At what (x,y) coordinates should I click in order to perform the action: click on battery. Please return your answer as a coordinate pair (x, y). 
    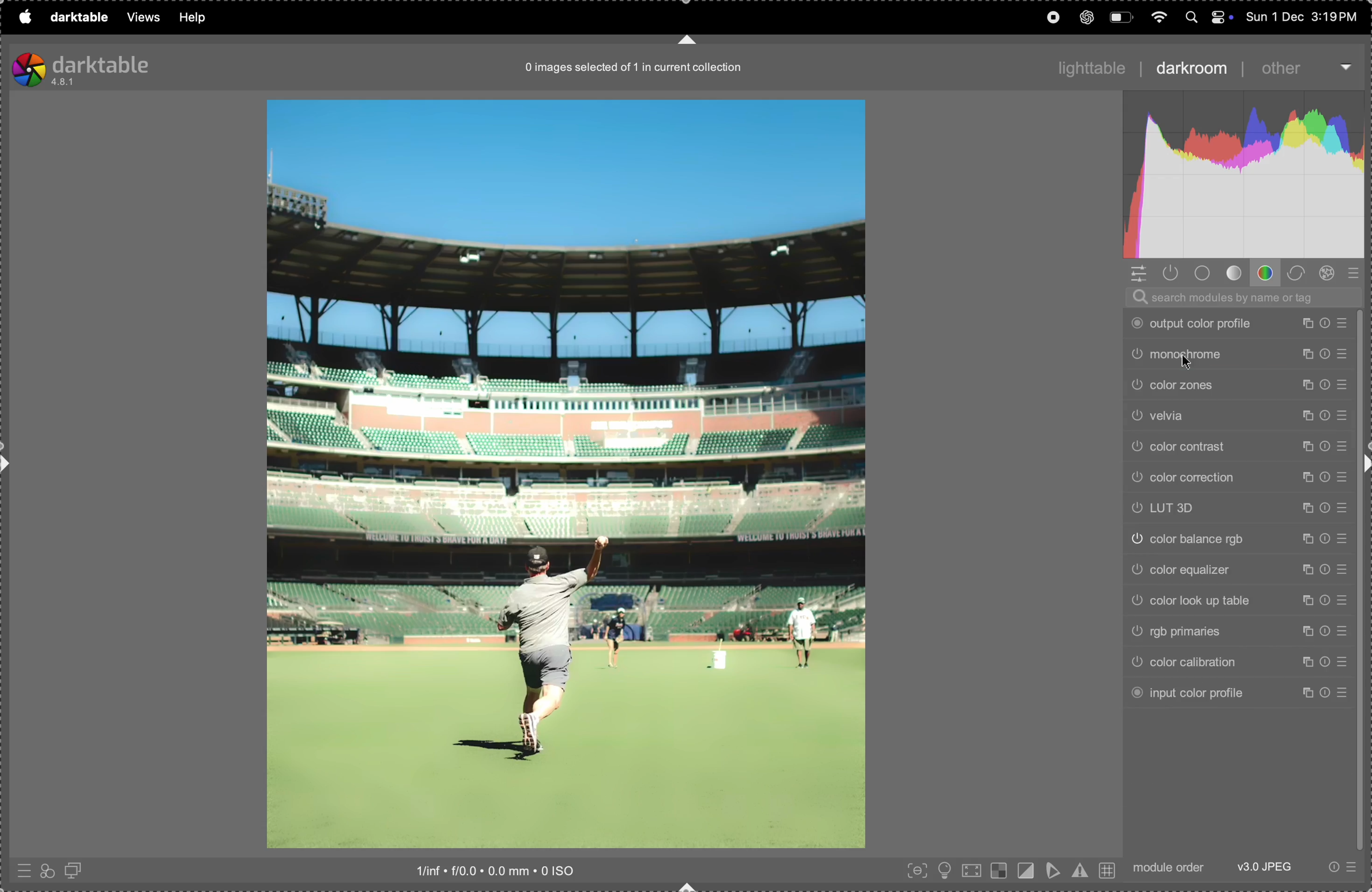
    Looking at the image, I should click on (1120, 17).